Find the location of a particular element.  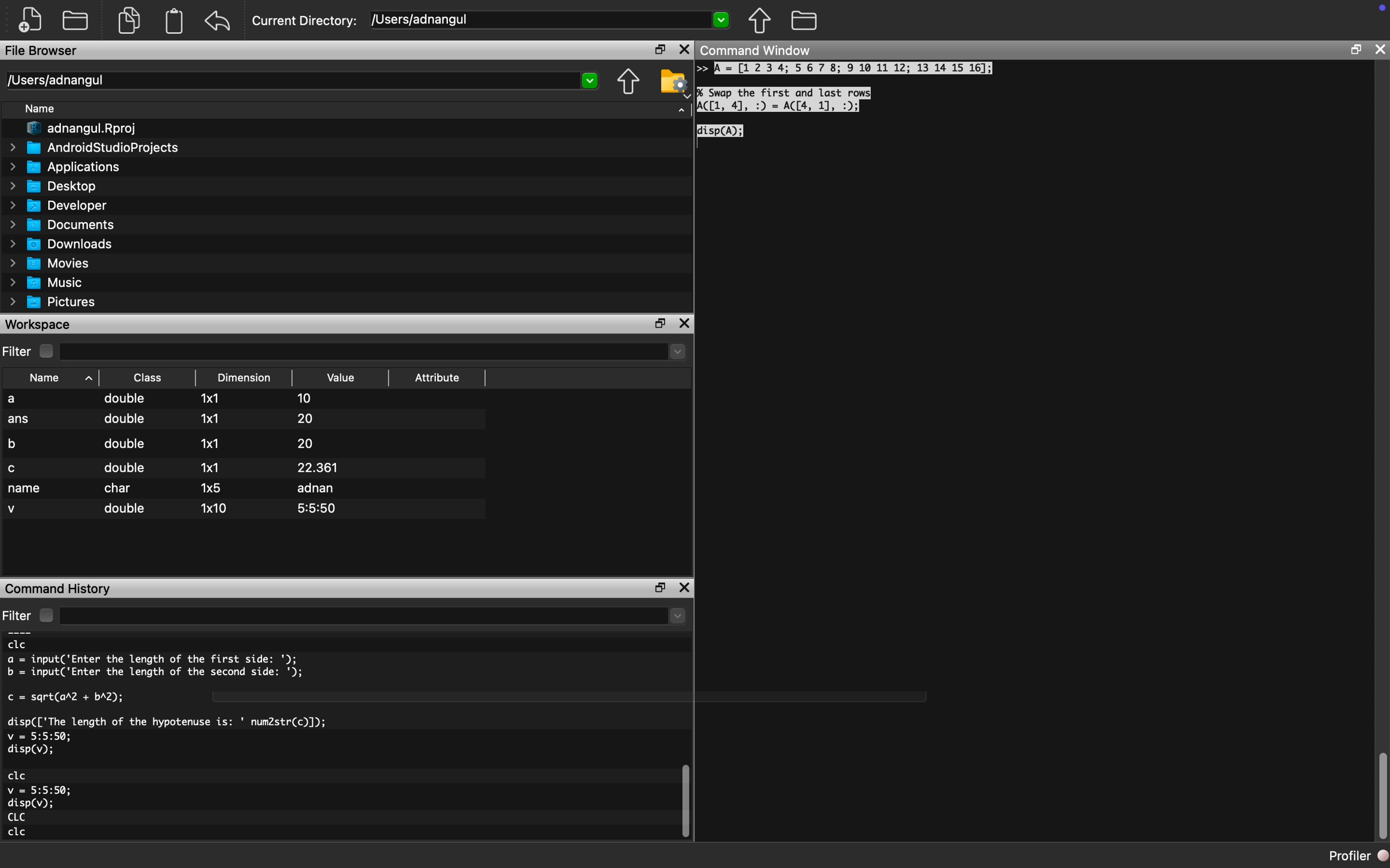

> [3 Pictures is located at coordinates (56, 304).